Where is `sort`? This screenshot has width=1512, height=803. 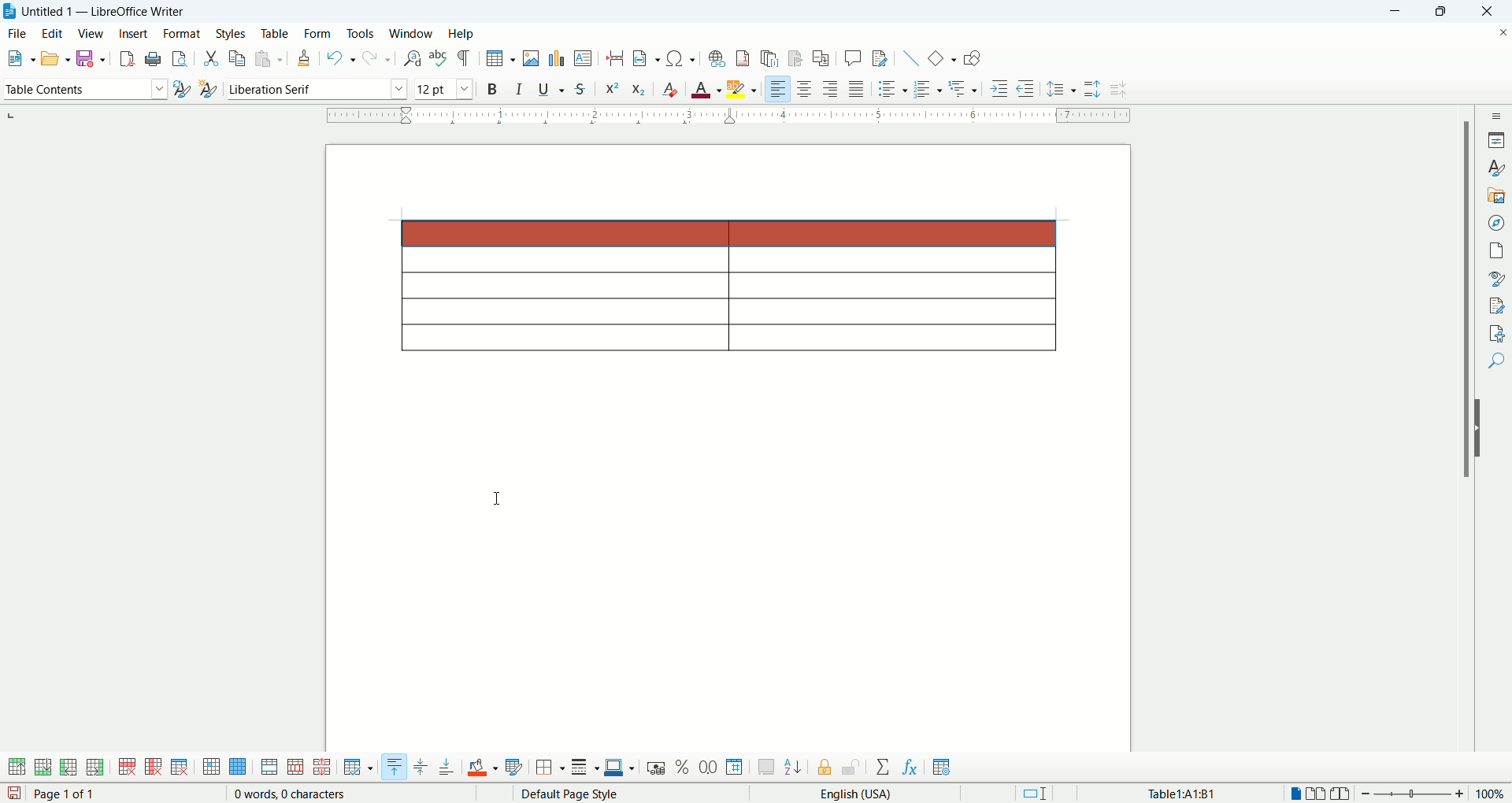 sort is located at coordinates (793, 765).